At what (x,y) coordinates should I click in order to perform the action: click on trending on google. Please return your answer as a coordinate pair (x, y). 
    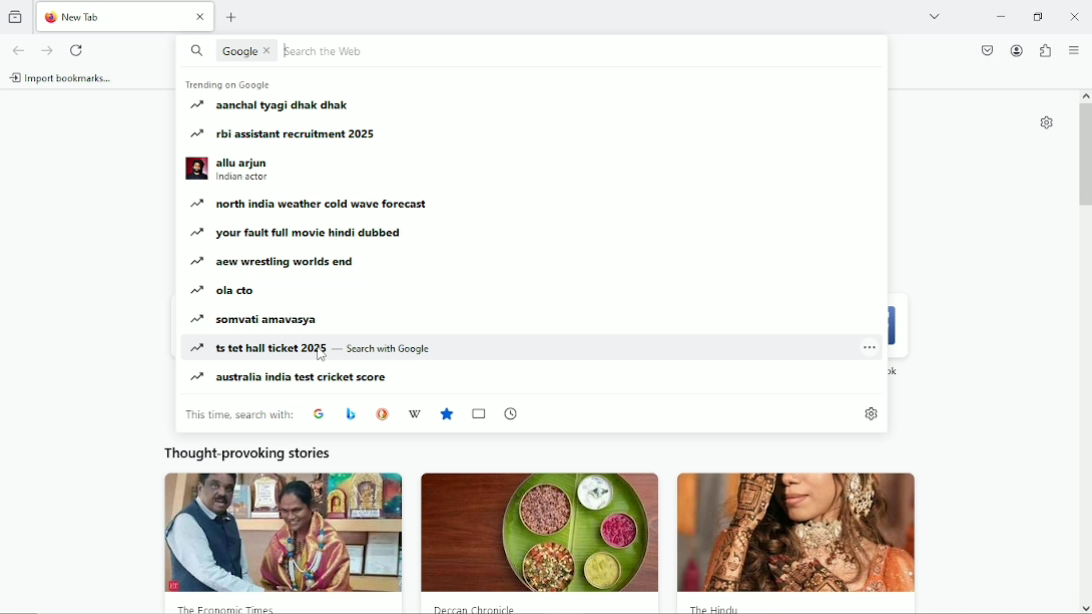
    Looking at the image, I should click on (231, 87).